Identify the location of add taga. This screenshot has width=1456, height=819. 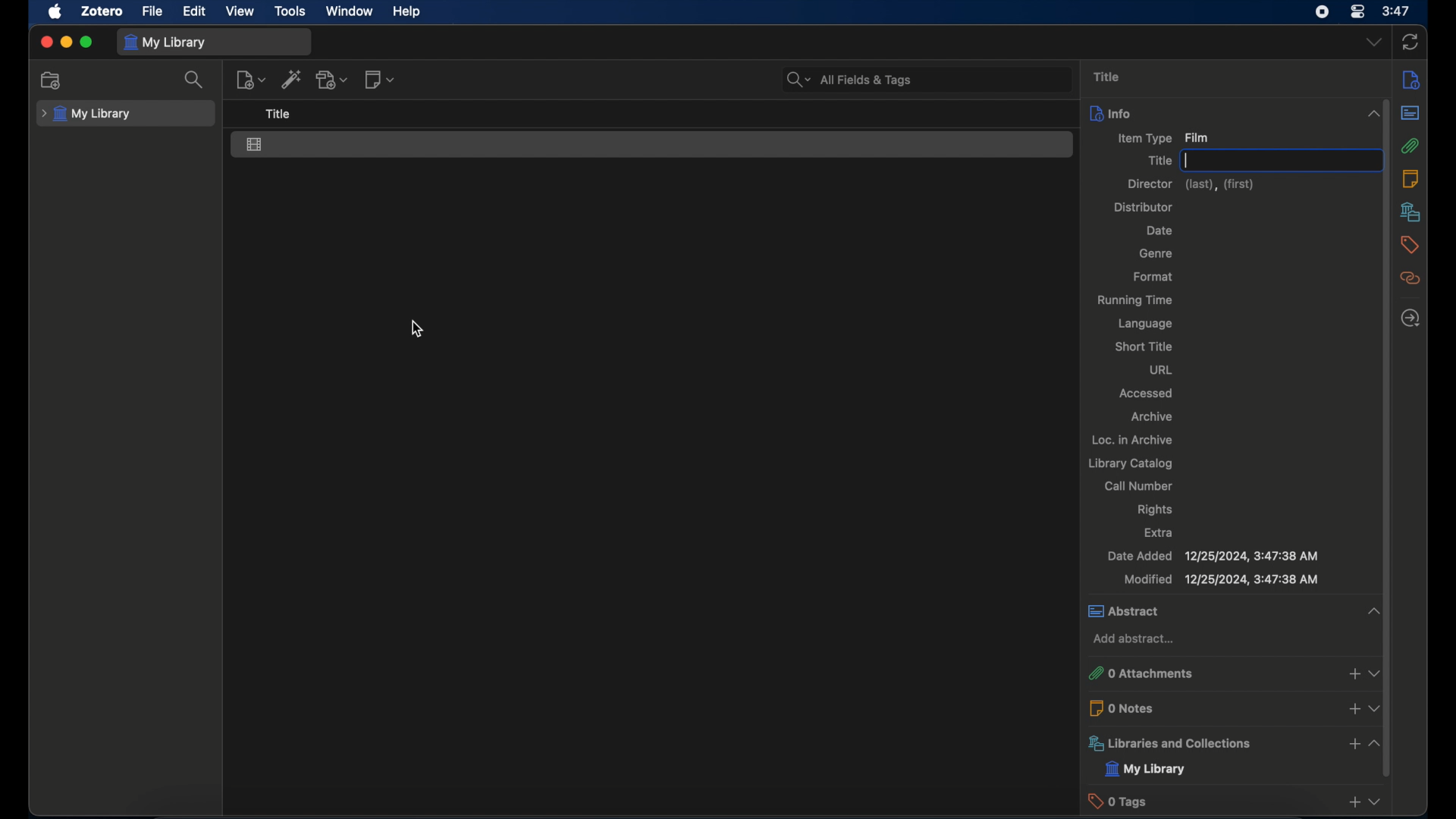
(1351, 801).